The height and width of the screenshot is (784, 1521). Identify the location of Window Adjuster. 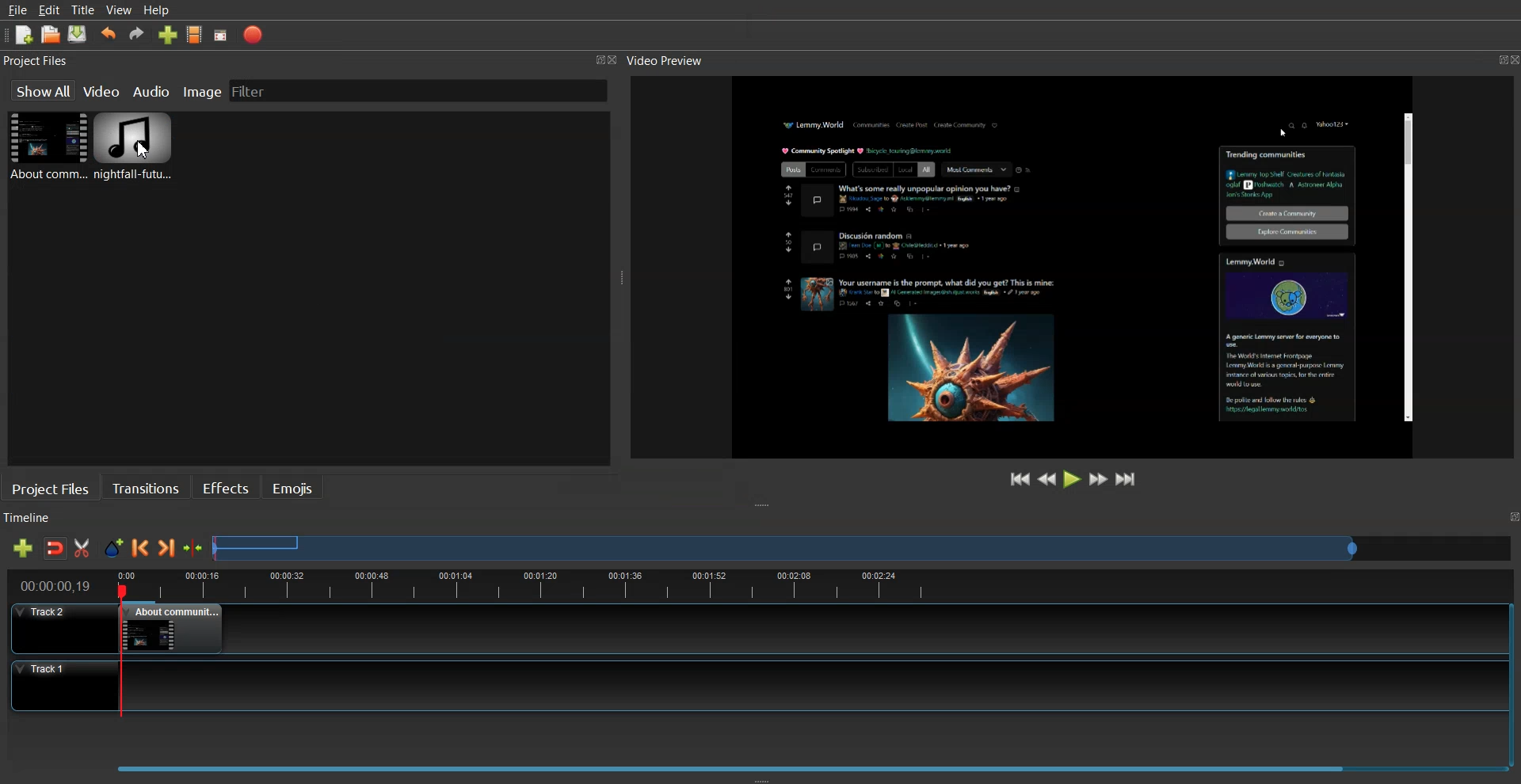
(622, 281).